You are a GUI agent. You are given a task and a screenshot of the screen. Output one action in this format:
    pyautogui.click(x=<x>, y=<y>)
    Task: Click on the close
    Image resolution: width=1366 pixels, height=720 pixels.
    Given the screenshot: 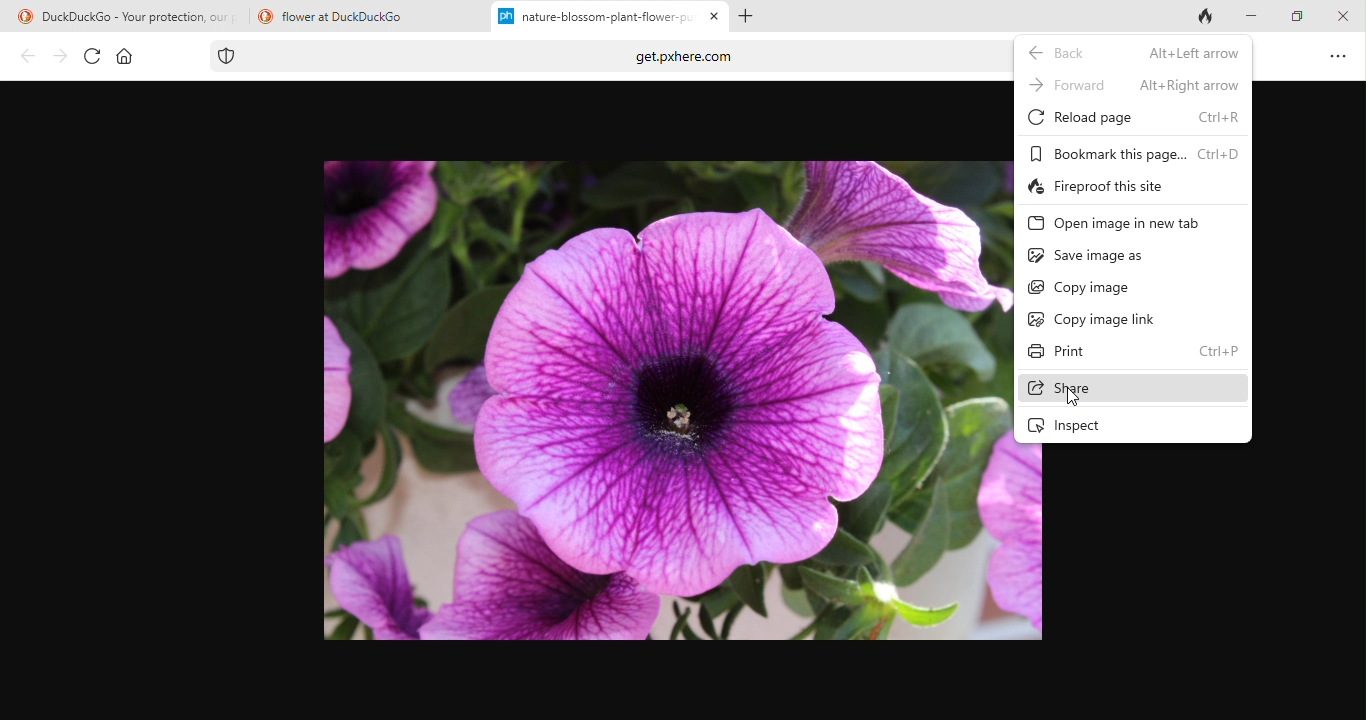 What is the action you would take?
    pyautogui.click(x=717, y=18)
    